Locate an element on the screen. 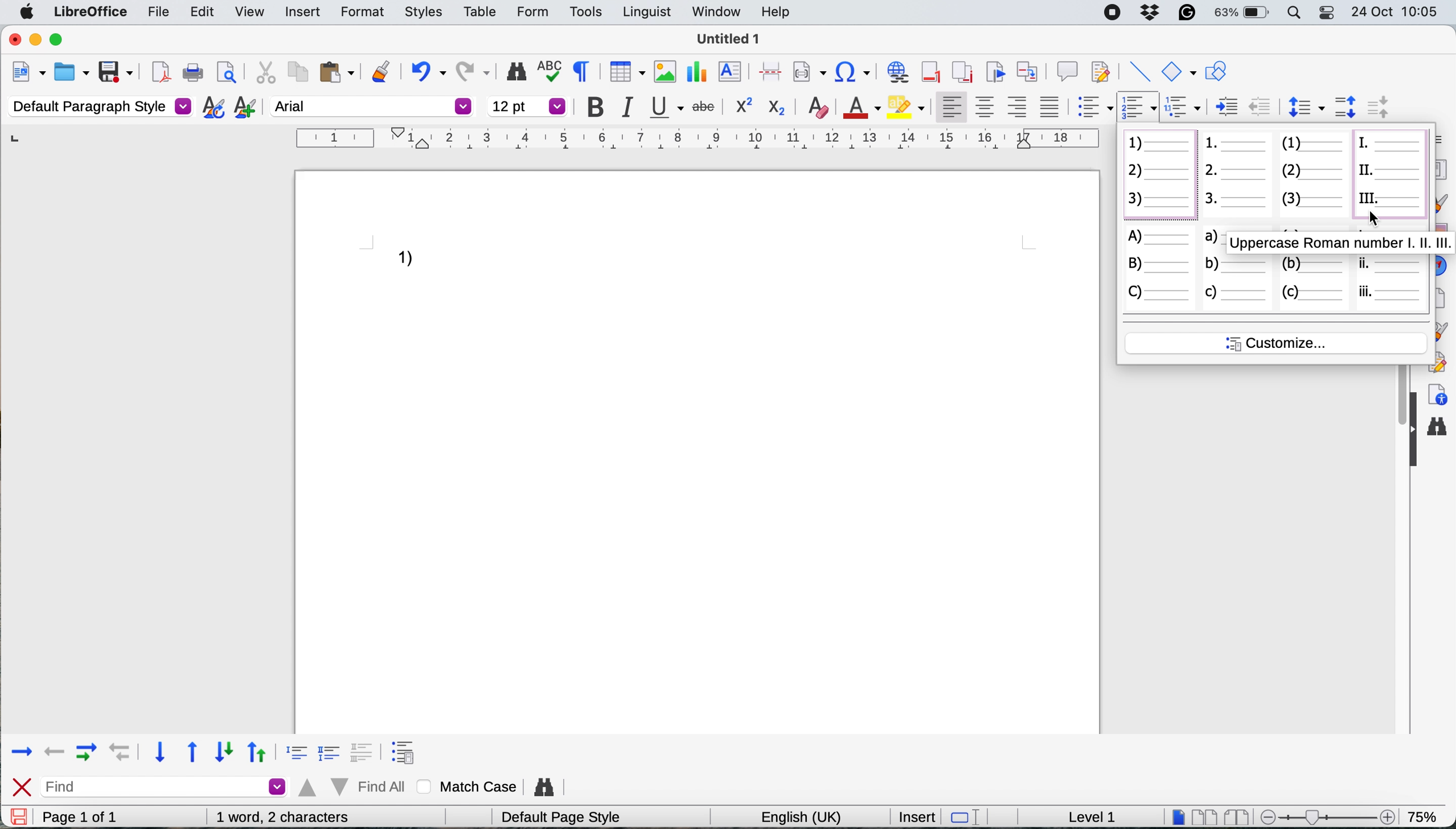 This screenshot has width=1456, height=829. help is located at coordinates (777, 13).